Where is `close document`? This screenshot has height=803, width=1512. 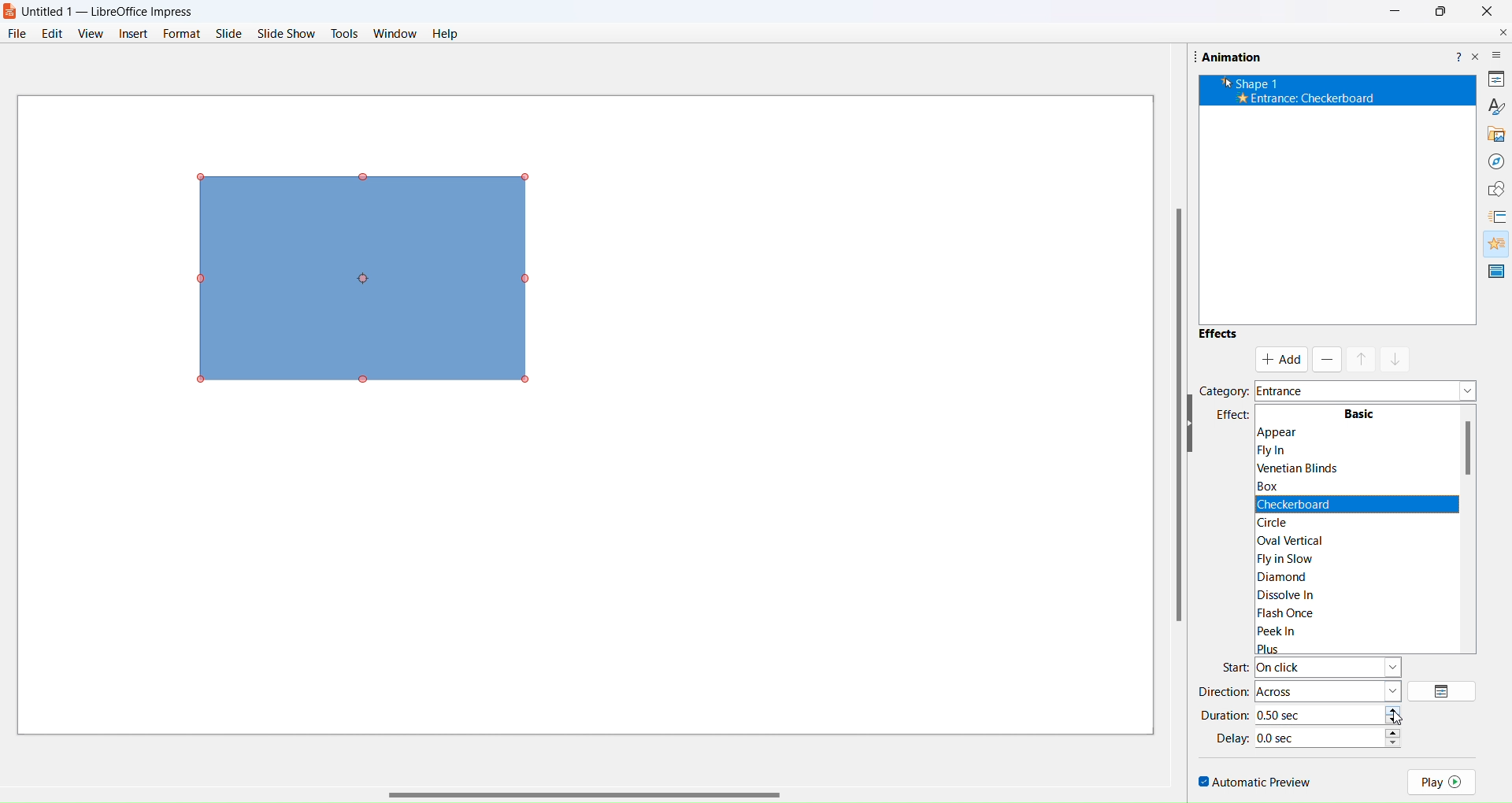 close document is located at coordinates (1499, 32).